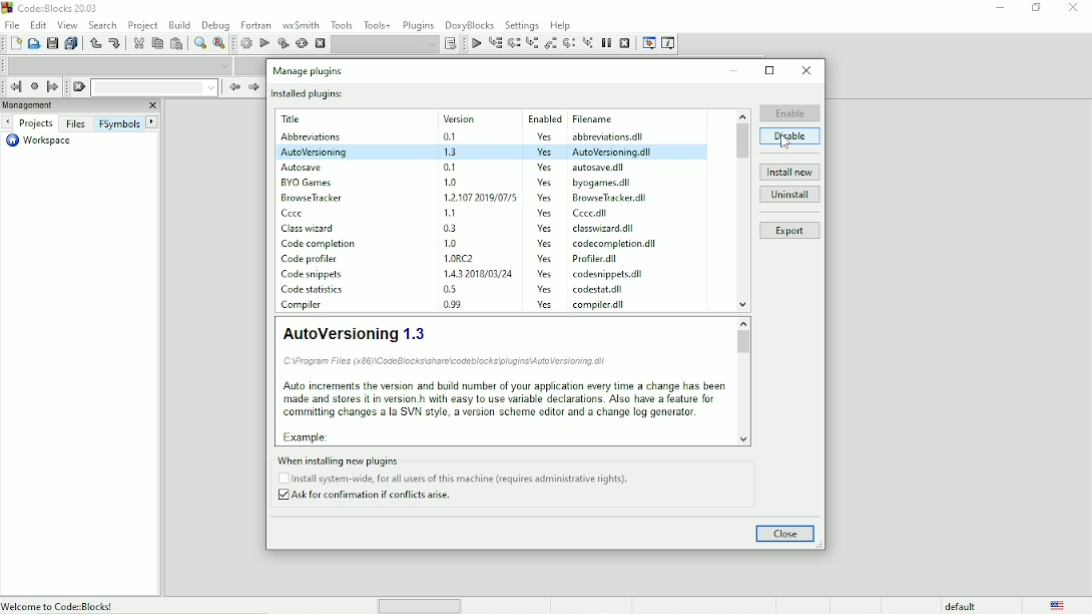  I want to click on Next, so click(153, 122).